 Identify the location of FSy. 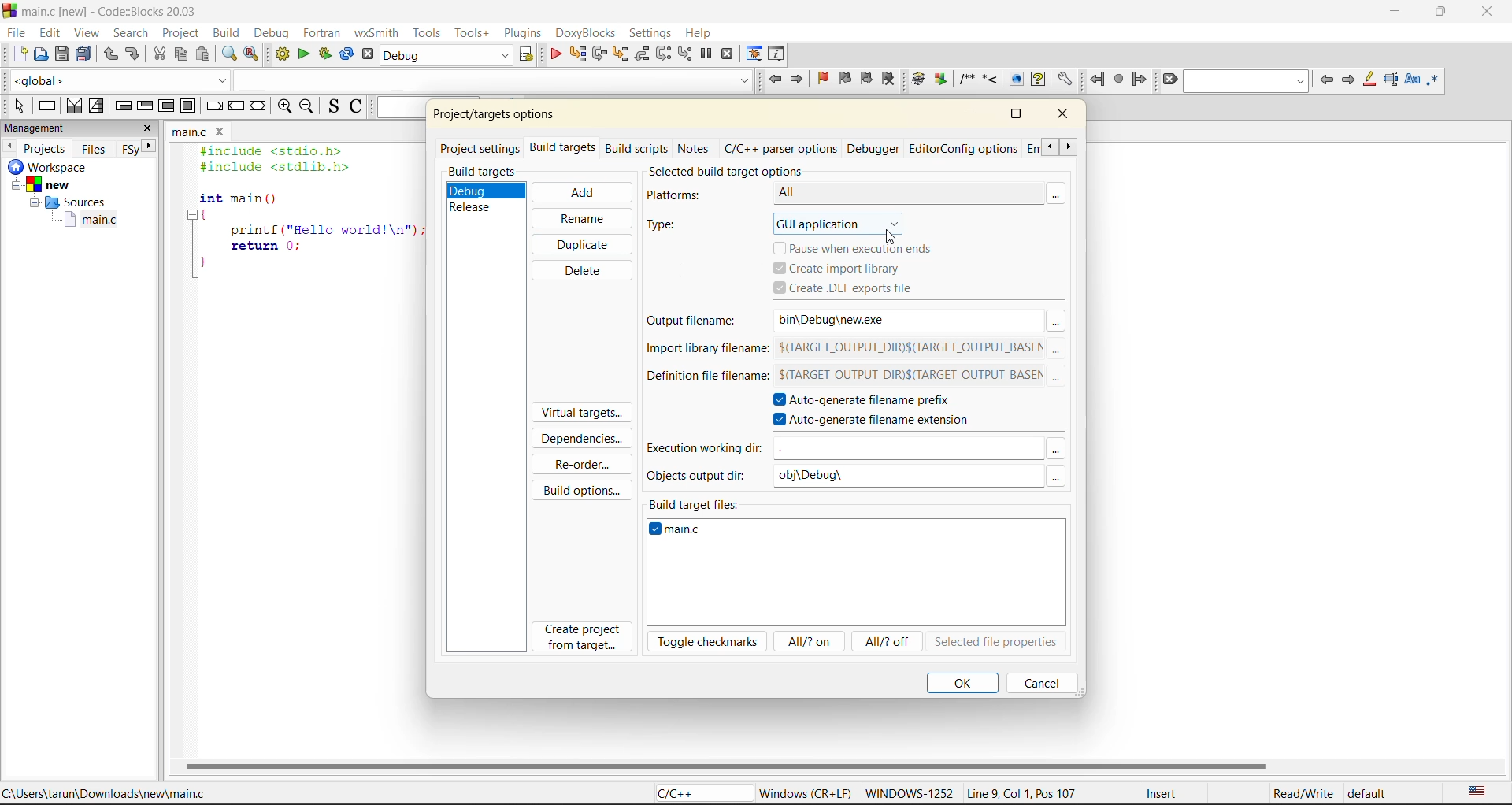
(131, 148).